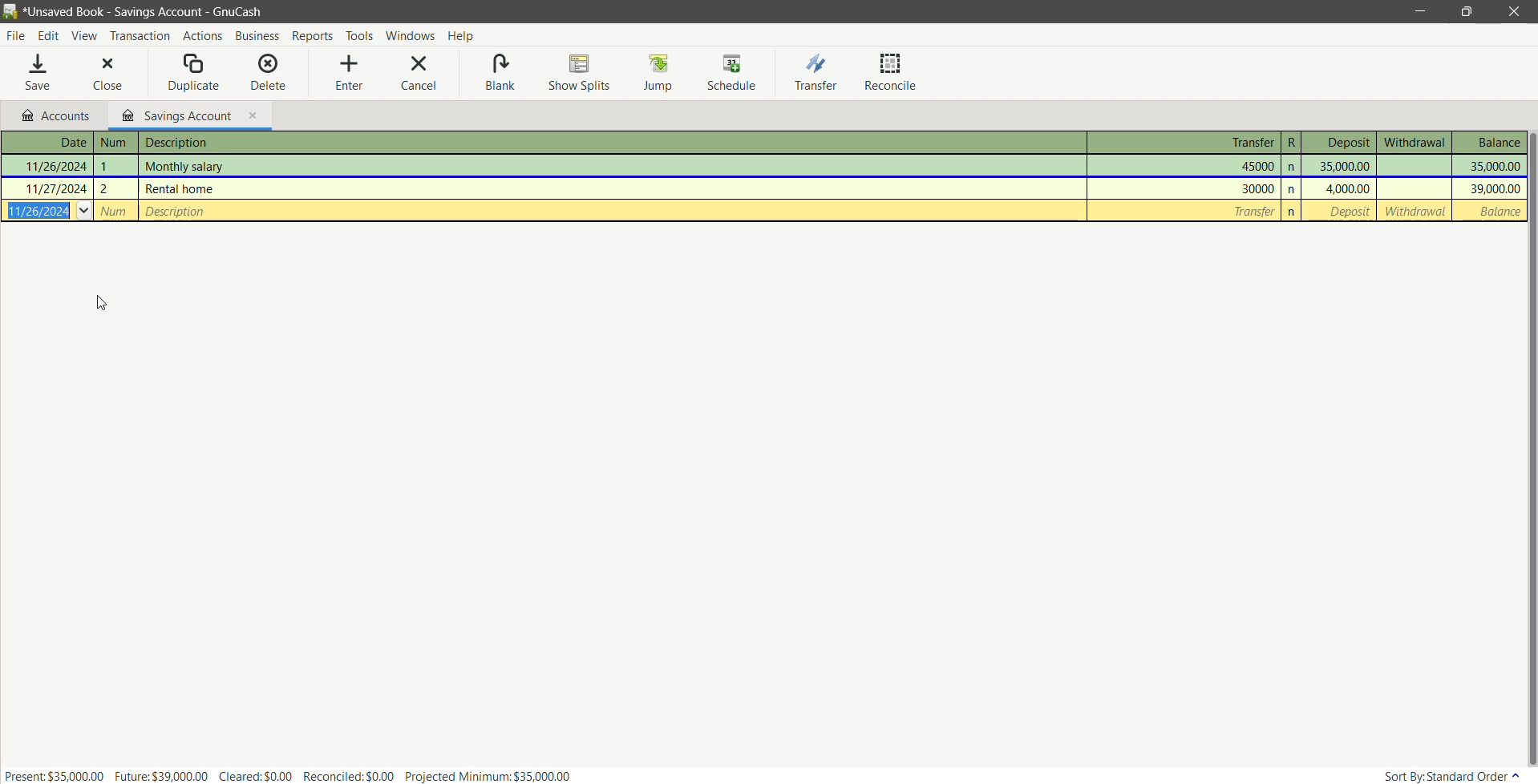 The height and width of the screenshot is (784, 1538). Describe the element at coordinates (107, 71) in the screenshot. I see `Close` at that location.